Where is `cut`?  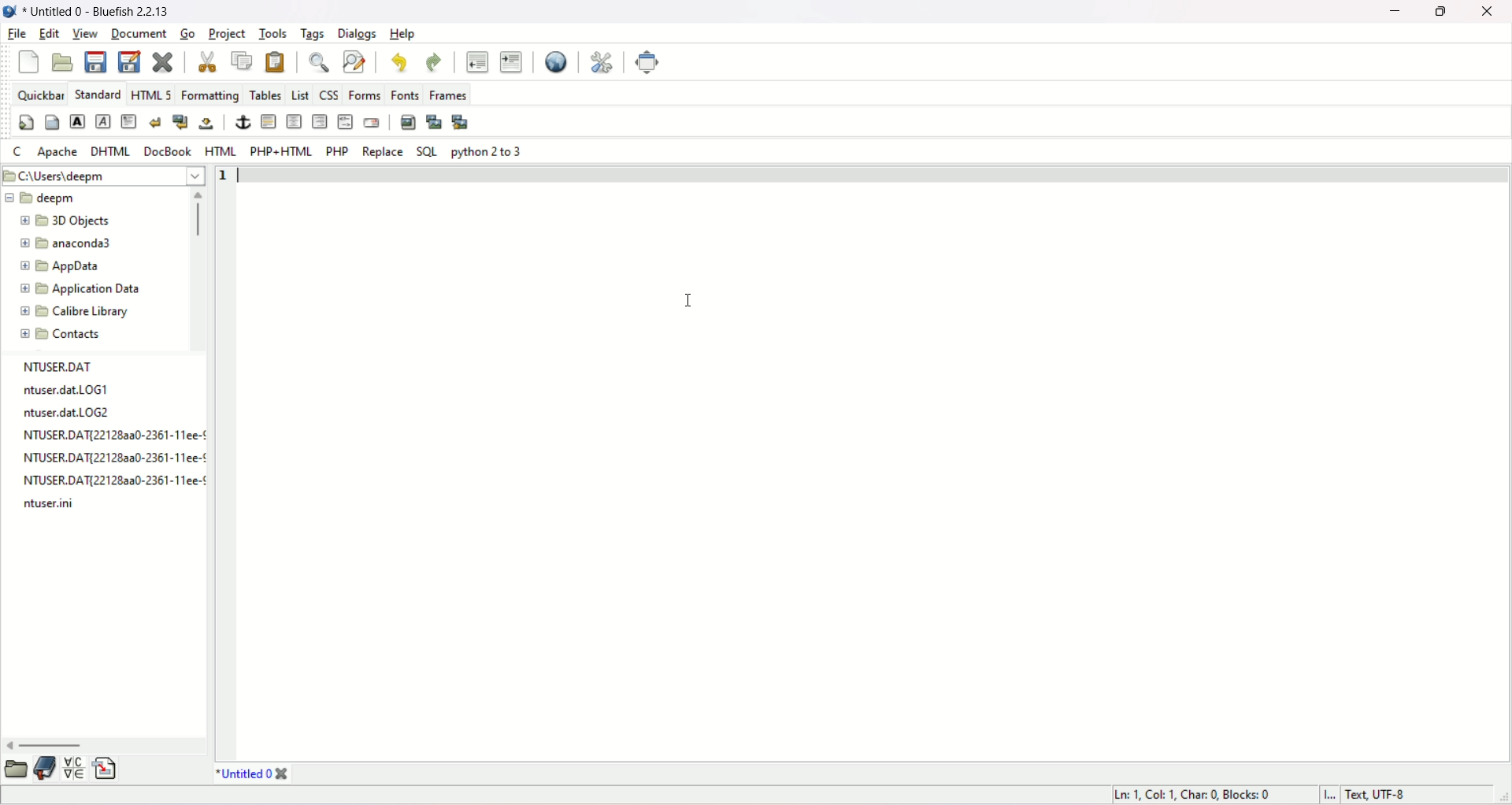 cut is located at coordinates (206, 62).